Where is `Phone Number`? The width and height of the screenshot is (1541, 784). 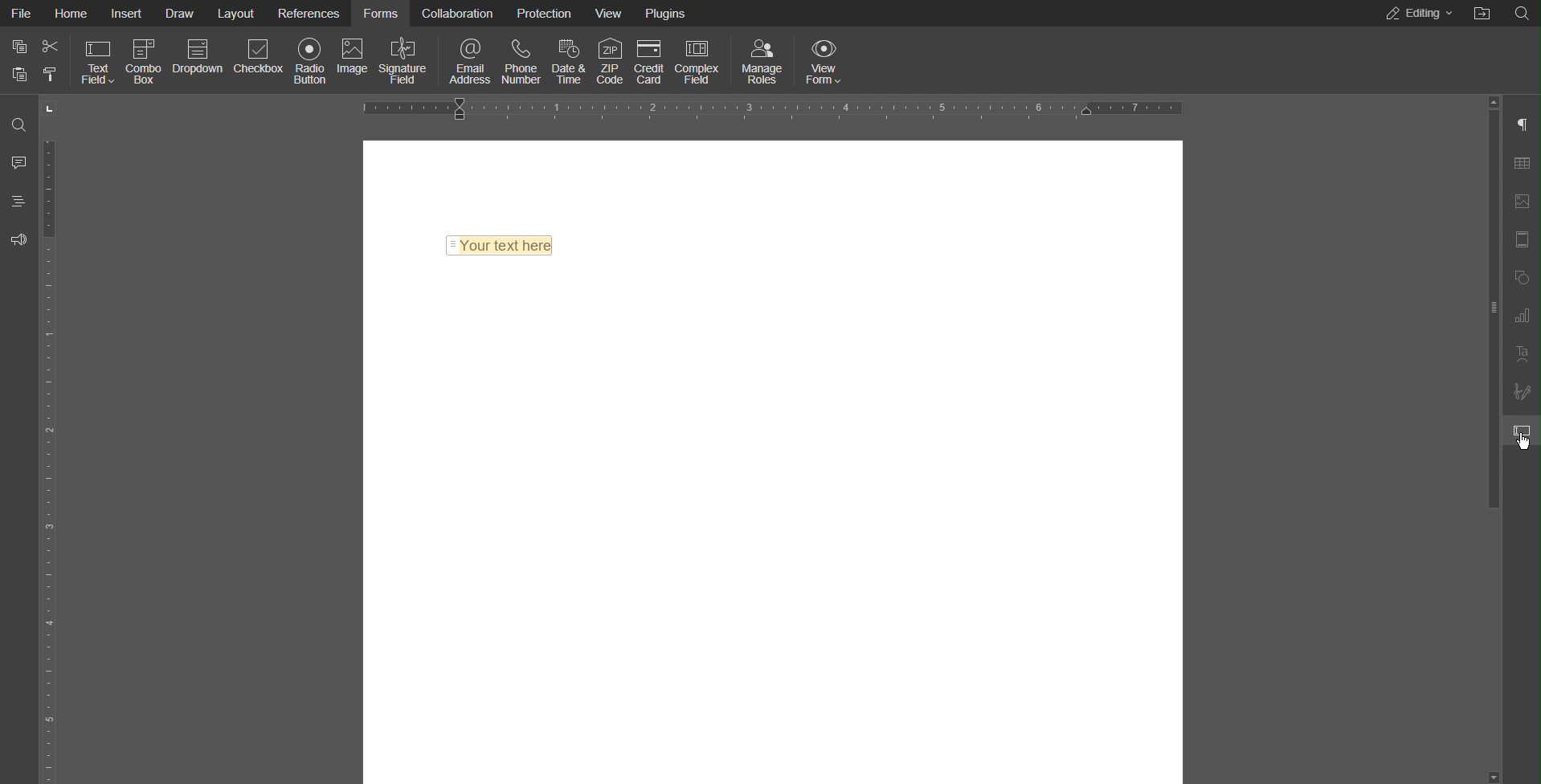
Phone Number is located at coordinates (522, 59).